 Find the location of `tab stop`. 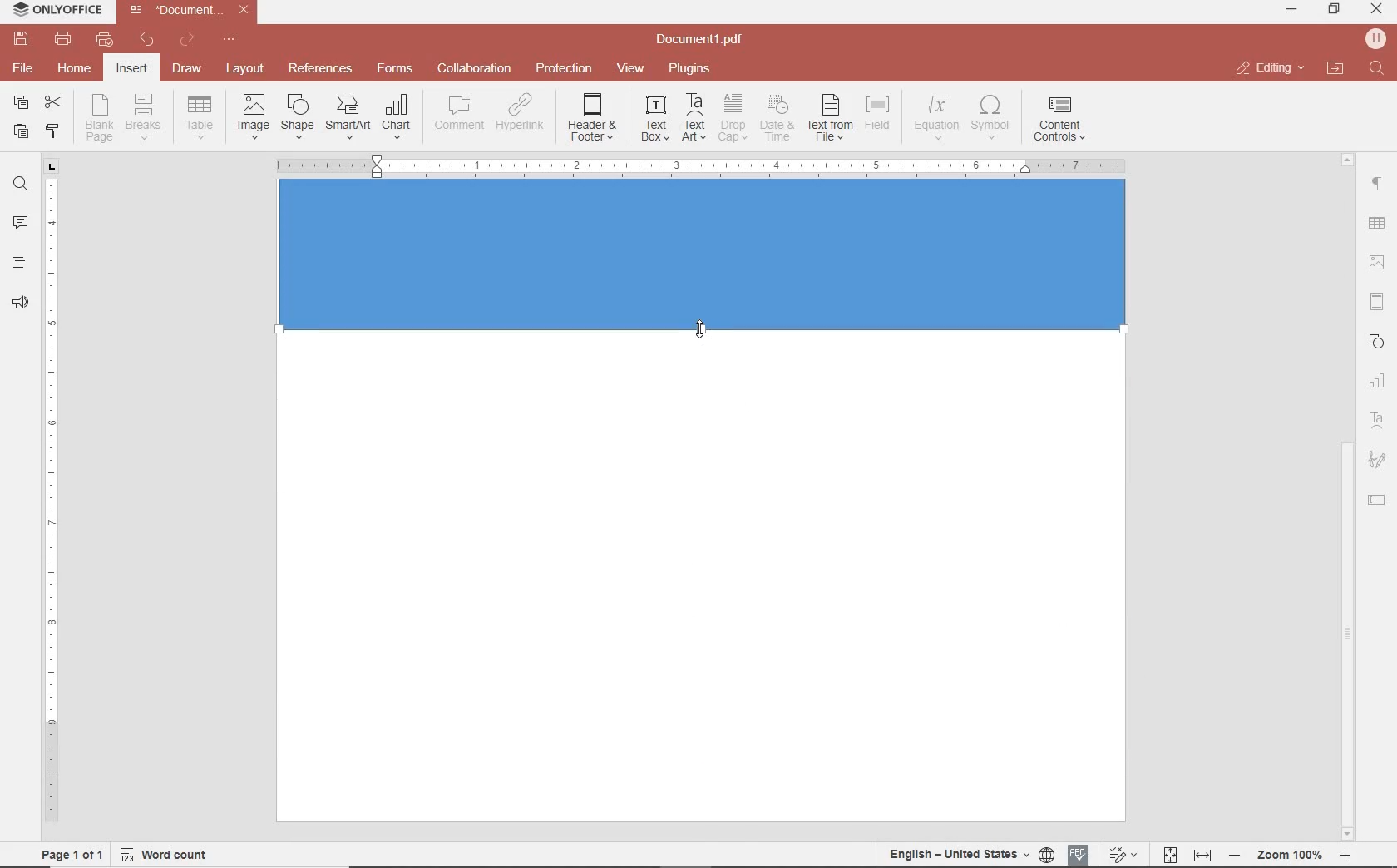

tab stop is located at coordinates (52, 165).